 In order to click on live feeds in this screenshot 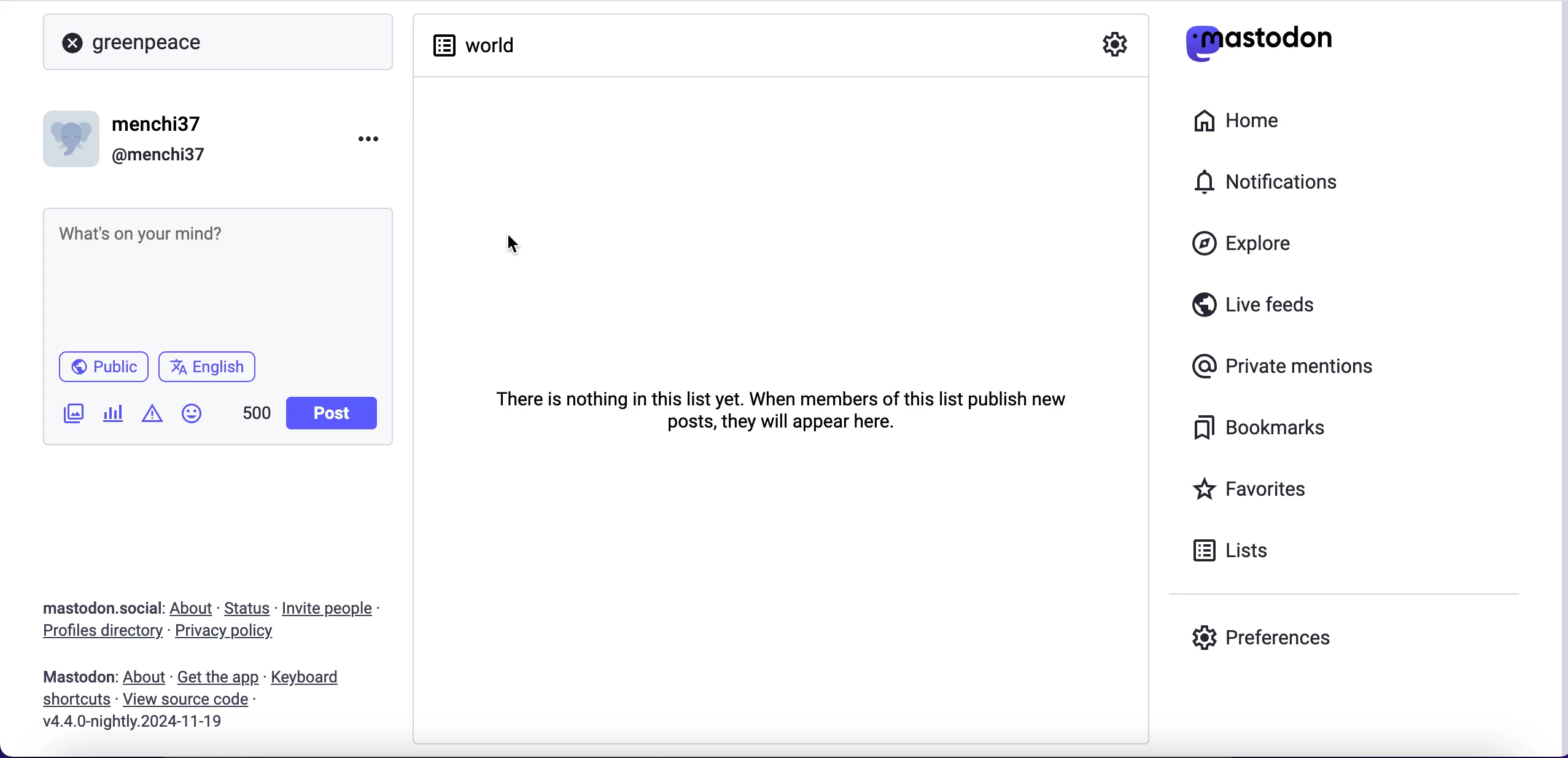, I will do `click(1254, 309)`.